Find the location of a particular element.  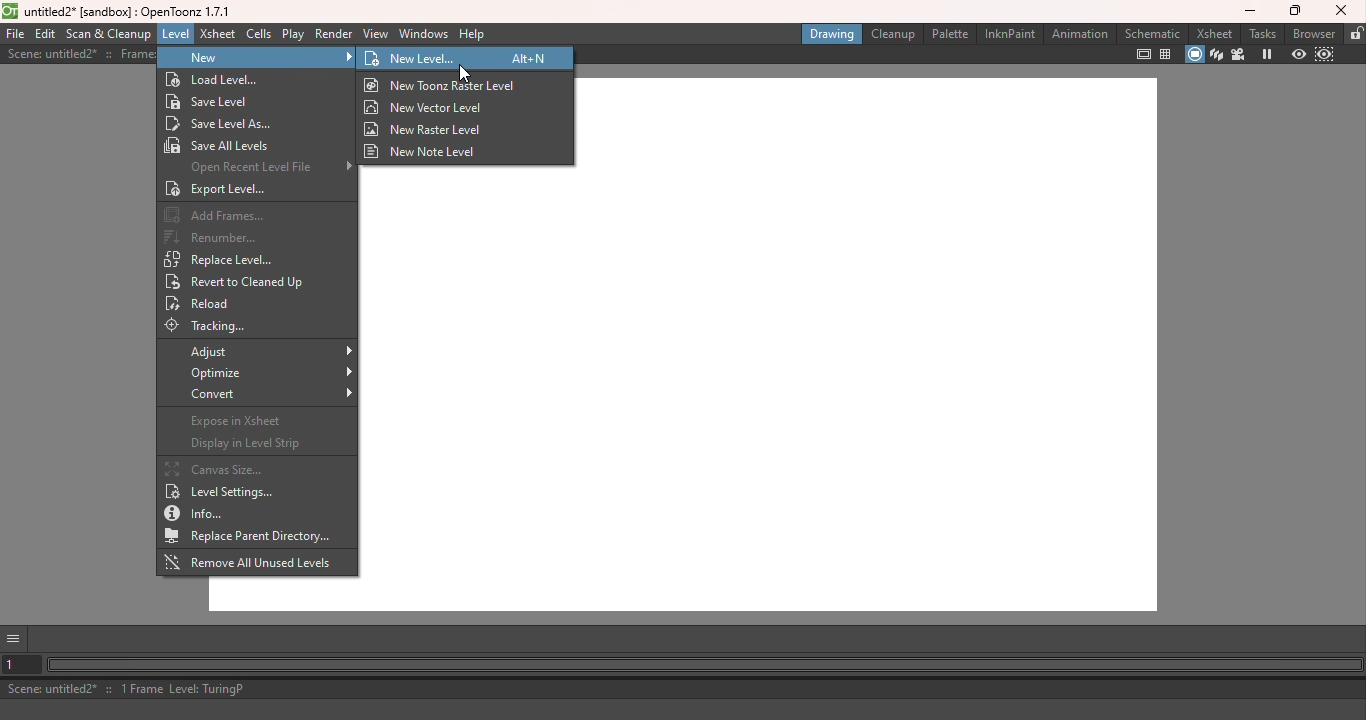

Close is located at coordinates (1340, 10).